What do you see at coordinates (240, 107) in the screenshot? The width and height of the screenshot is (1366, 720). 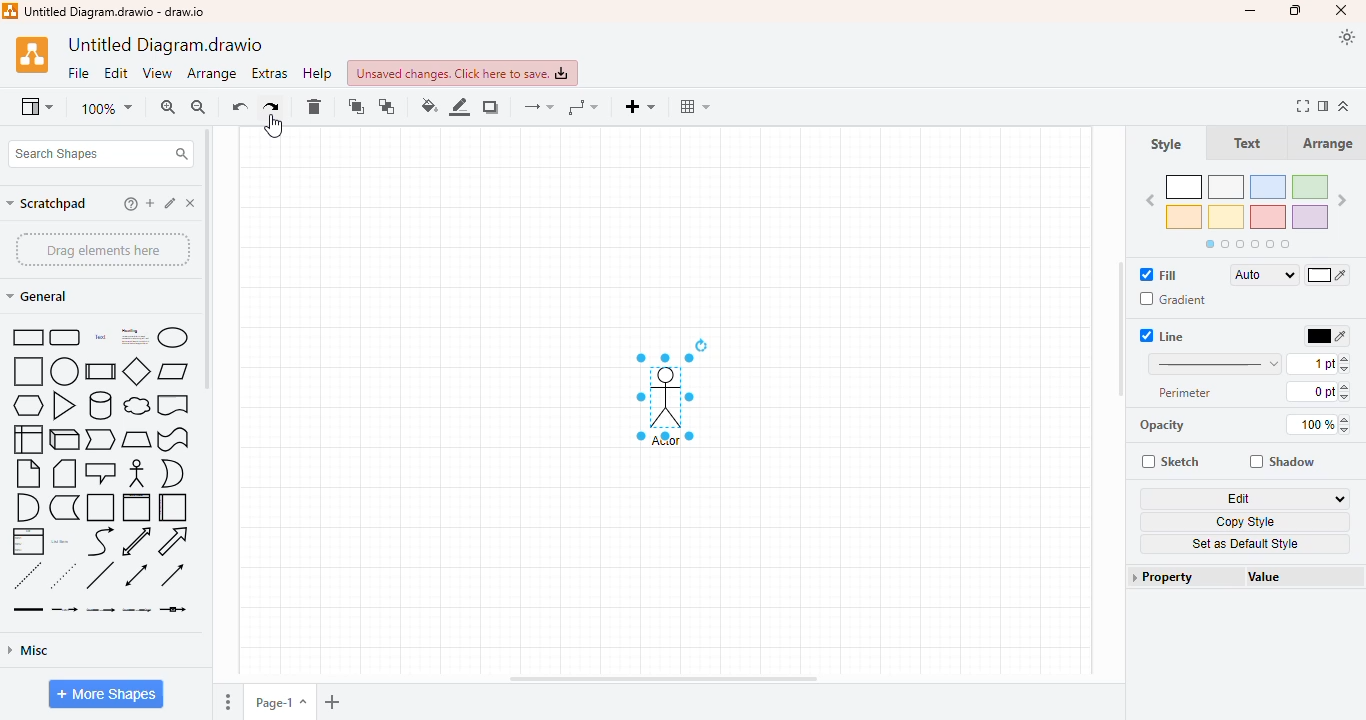 I see `undo` at bounding box center [240, 107].